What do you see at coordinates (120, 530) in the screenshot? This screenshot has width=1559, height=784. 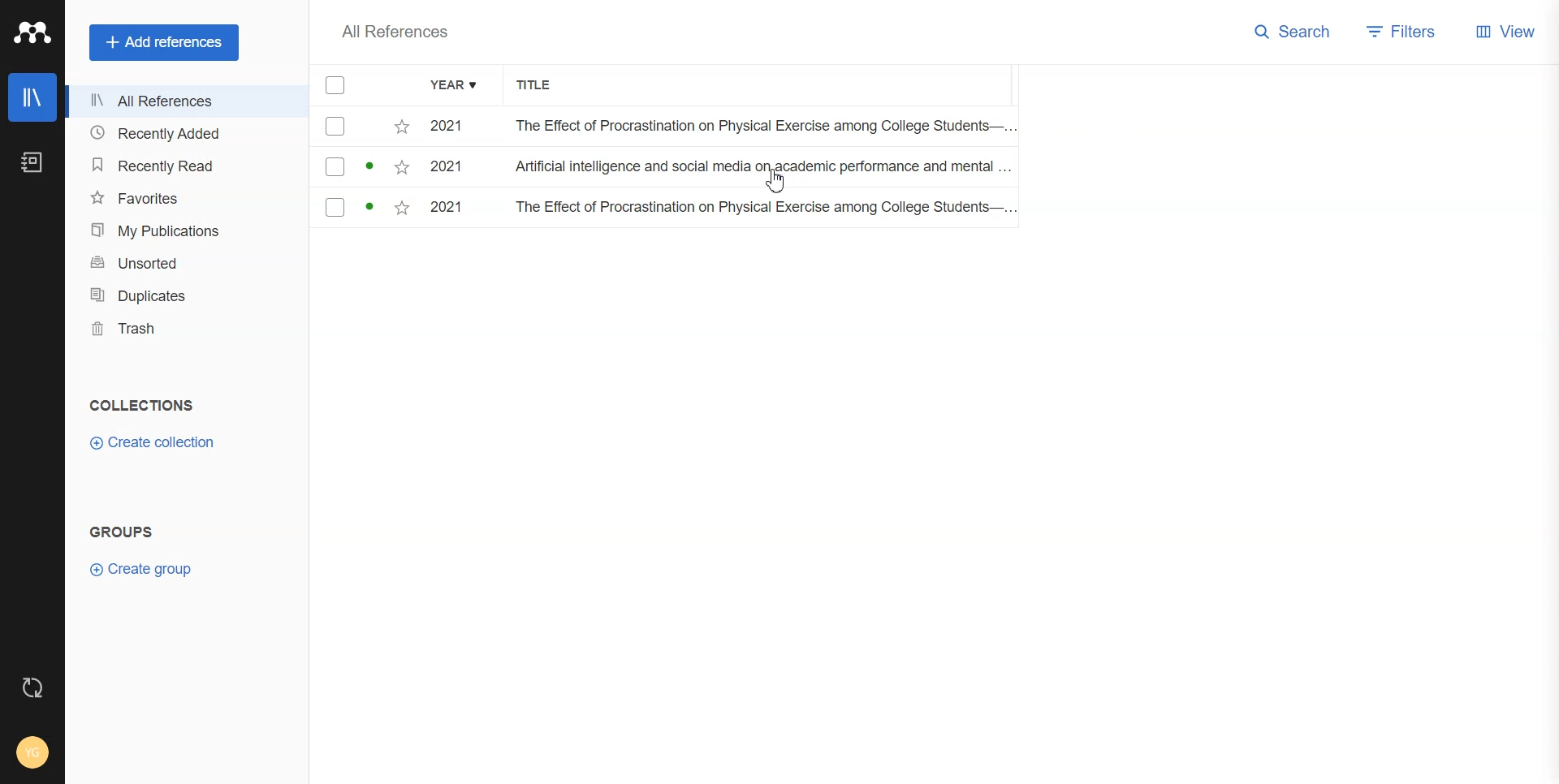 I see `GROUPS` at bounding box center [120, 530].